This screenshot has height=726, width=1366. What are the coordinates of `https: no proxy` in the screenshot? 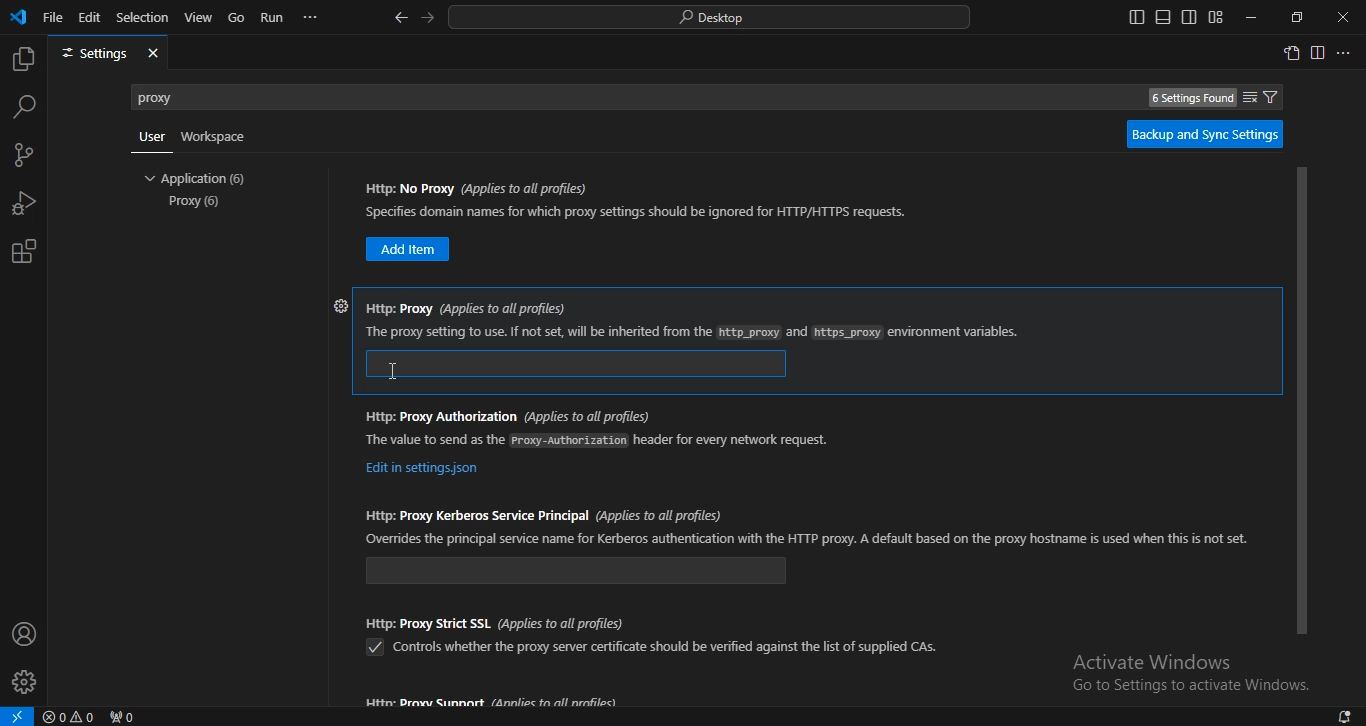 It's located at (409, 249).